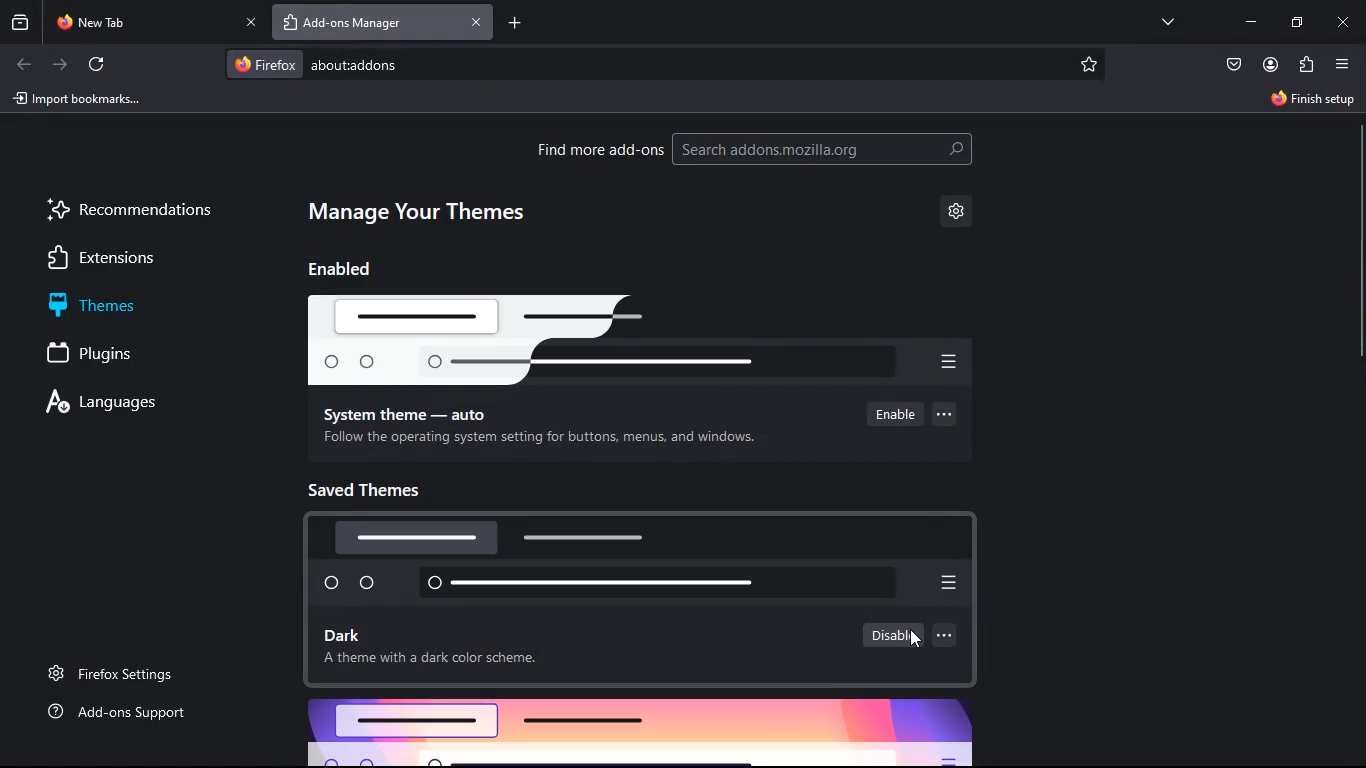 This screenshot has width=1366, height=768. What do you see at coordinates (134, 302) in the screenshot?
I see `themes` at bounding box center [134, 302].